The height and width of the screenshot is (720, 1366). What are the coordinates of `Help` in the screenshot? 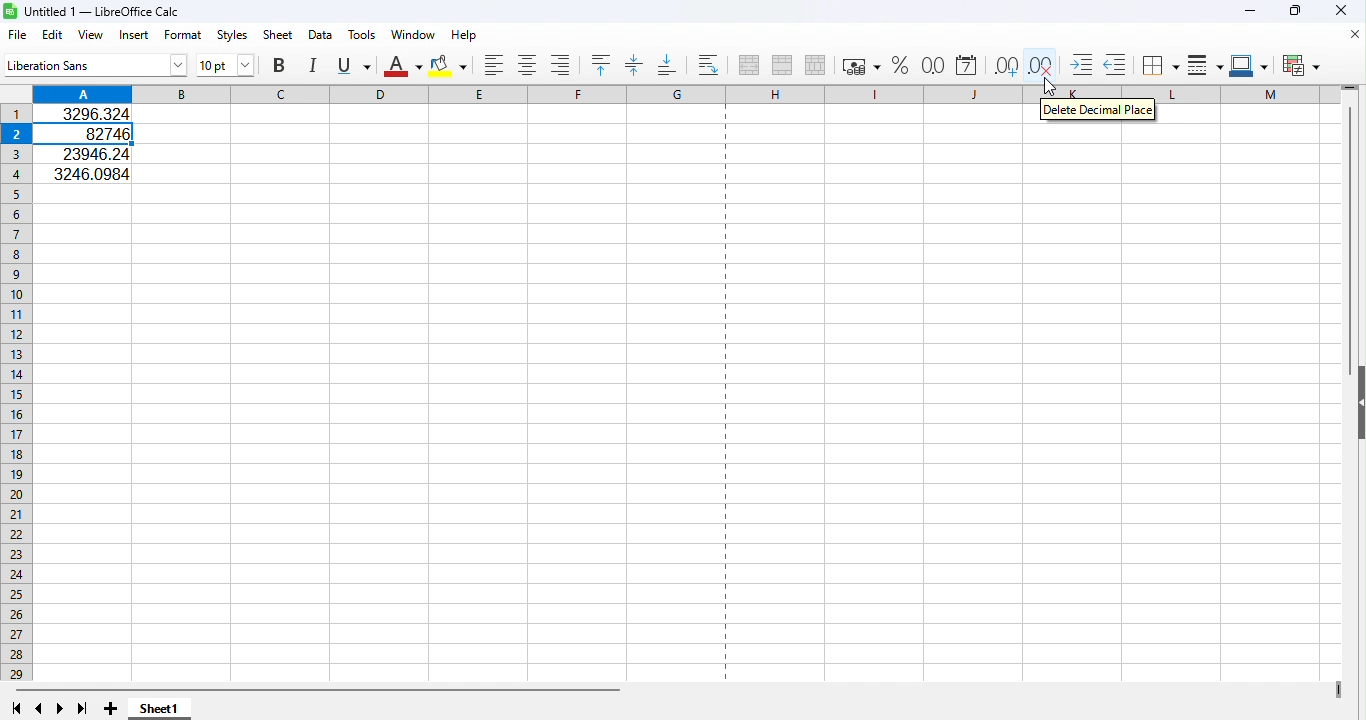 It's located at (465, 35).